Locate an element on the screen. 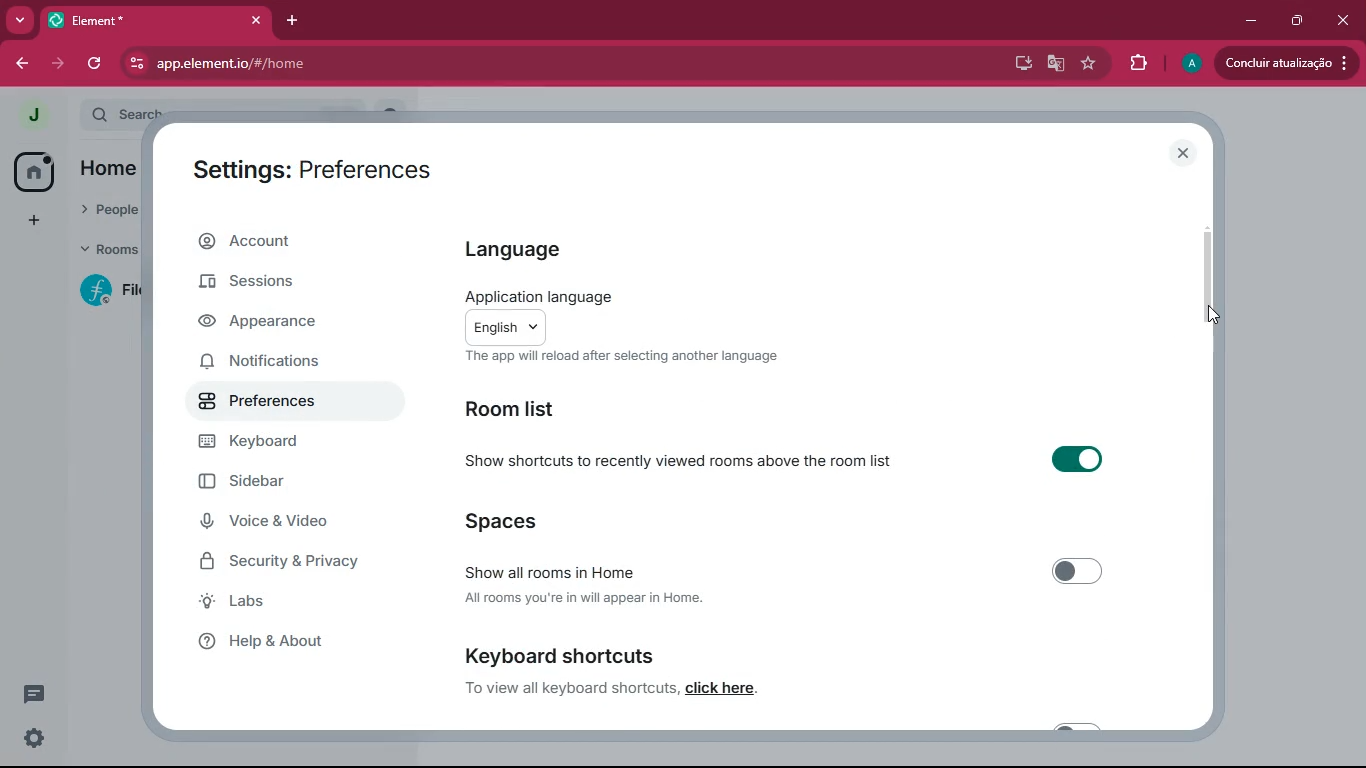 The height and width of the screenshot is (768, 1366). refresh is located at coordinates (98, 63).